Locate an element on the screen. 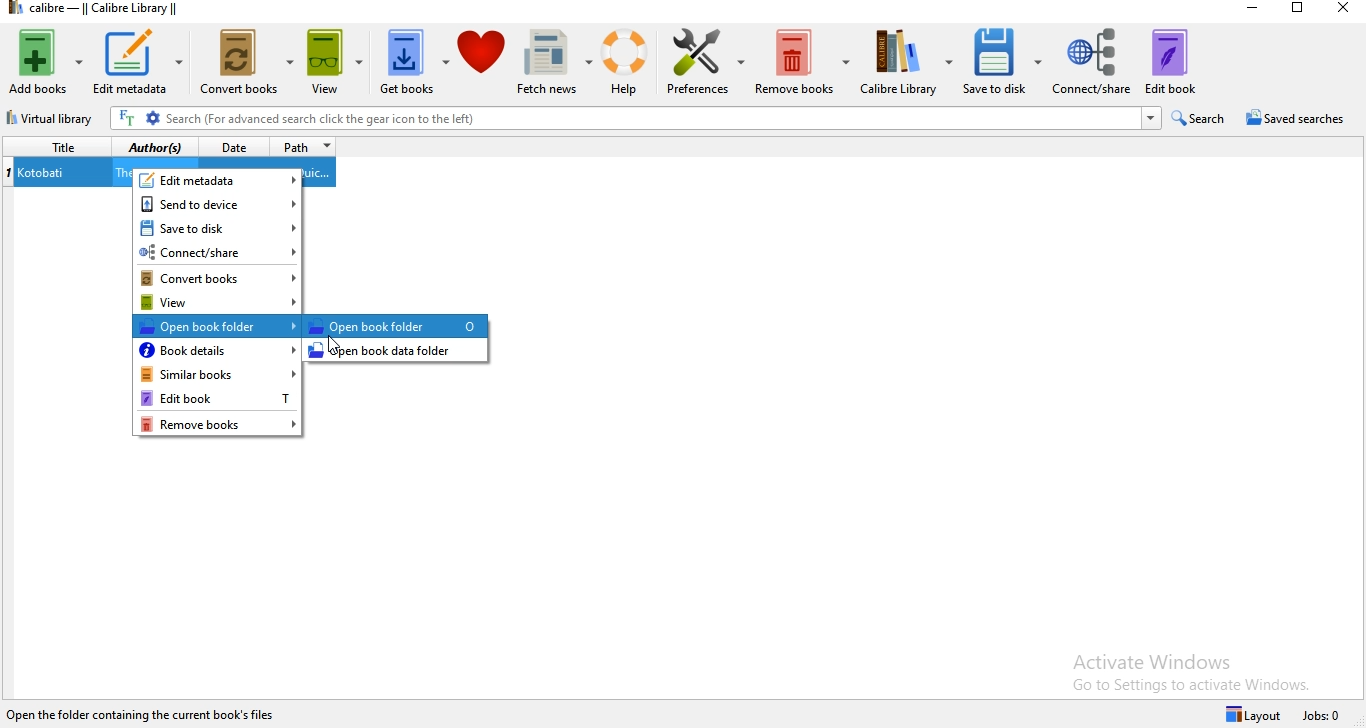 This screenshot has width=1366, height=728. search bar is located at coordinates (635, 119).